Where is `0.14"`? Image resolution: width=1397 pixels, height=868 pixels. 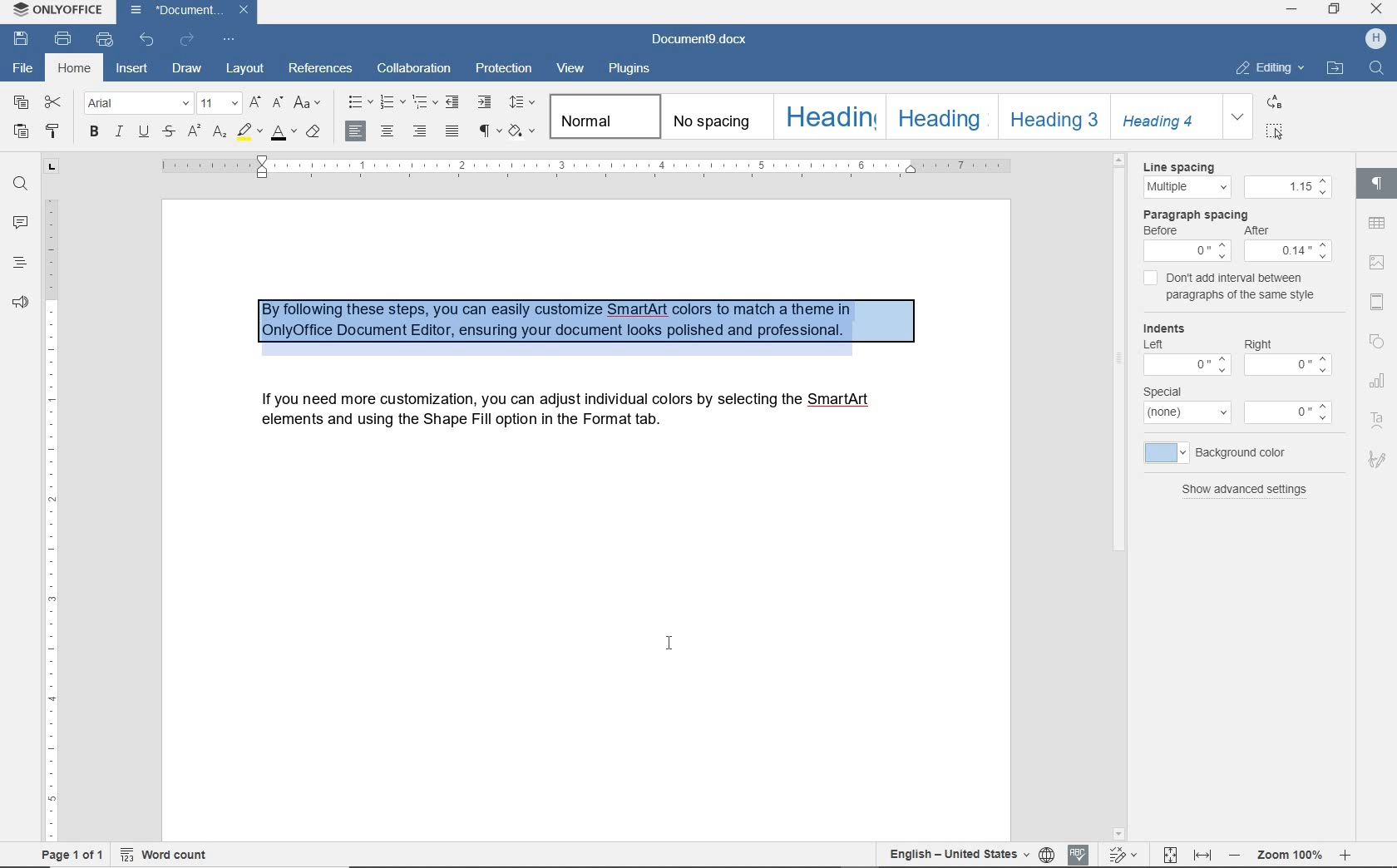
0.14" is located at coordinates (1291, 253).